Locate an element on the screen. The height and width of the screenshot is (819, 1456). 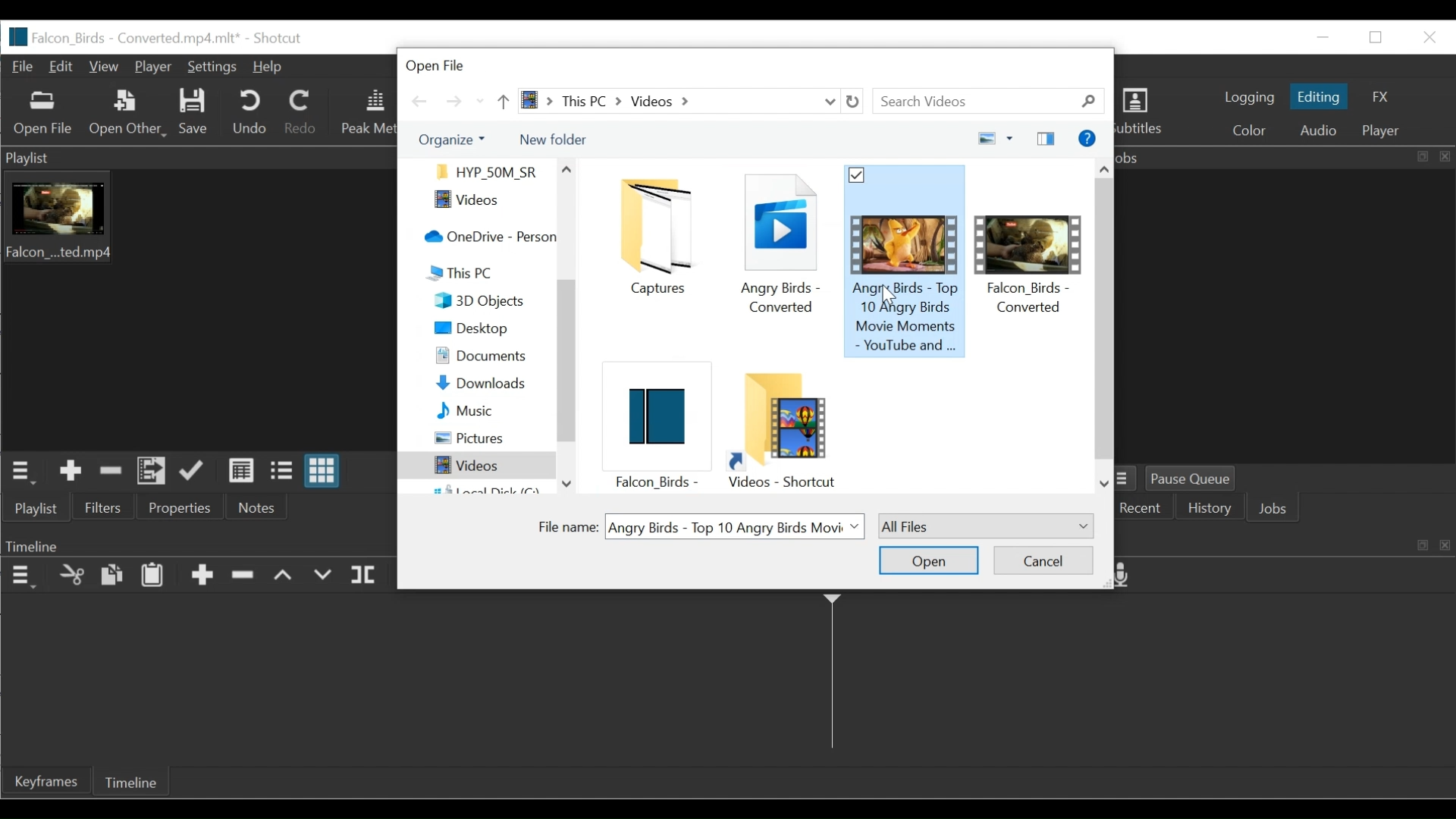
Vertical Scroll bar is located at coordinates (1104, 316).